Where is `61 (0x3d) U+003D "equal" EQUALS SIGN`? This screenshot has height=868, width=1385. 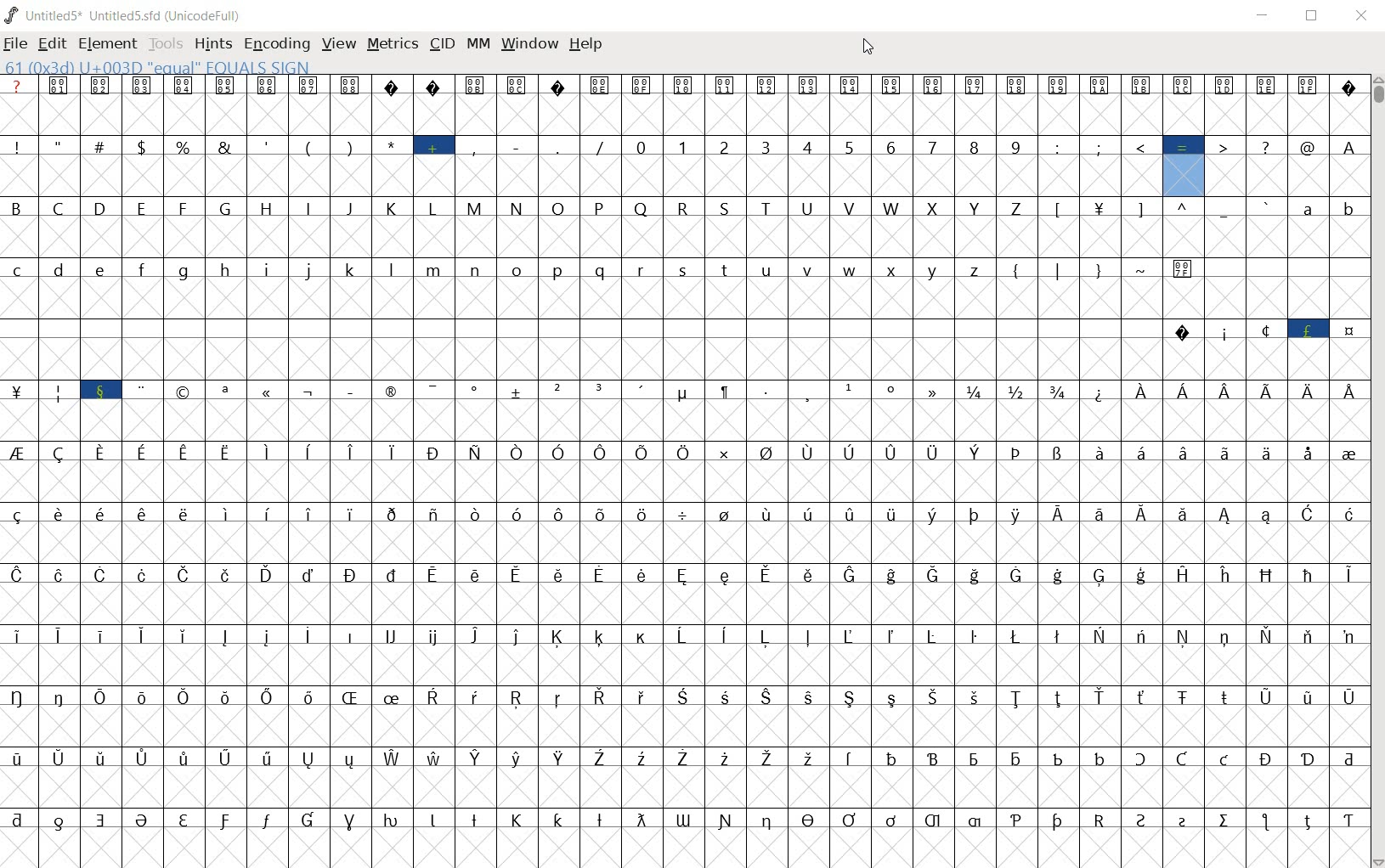 61 (0x3d) U+003D "equal" EQUALS SIGN is located at coordinates (159, 68).